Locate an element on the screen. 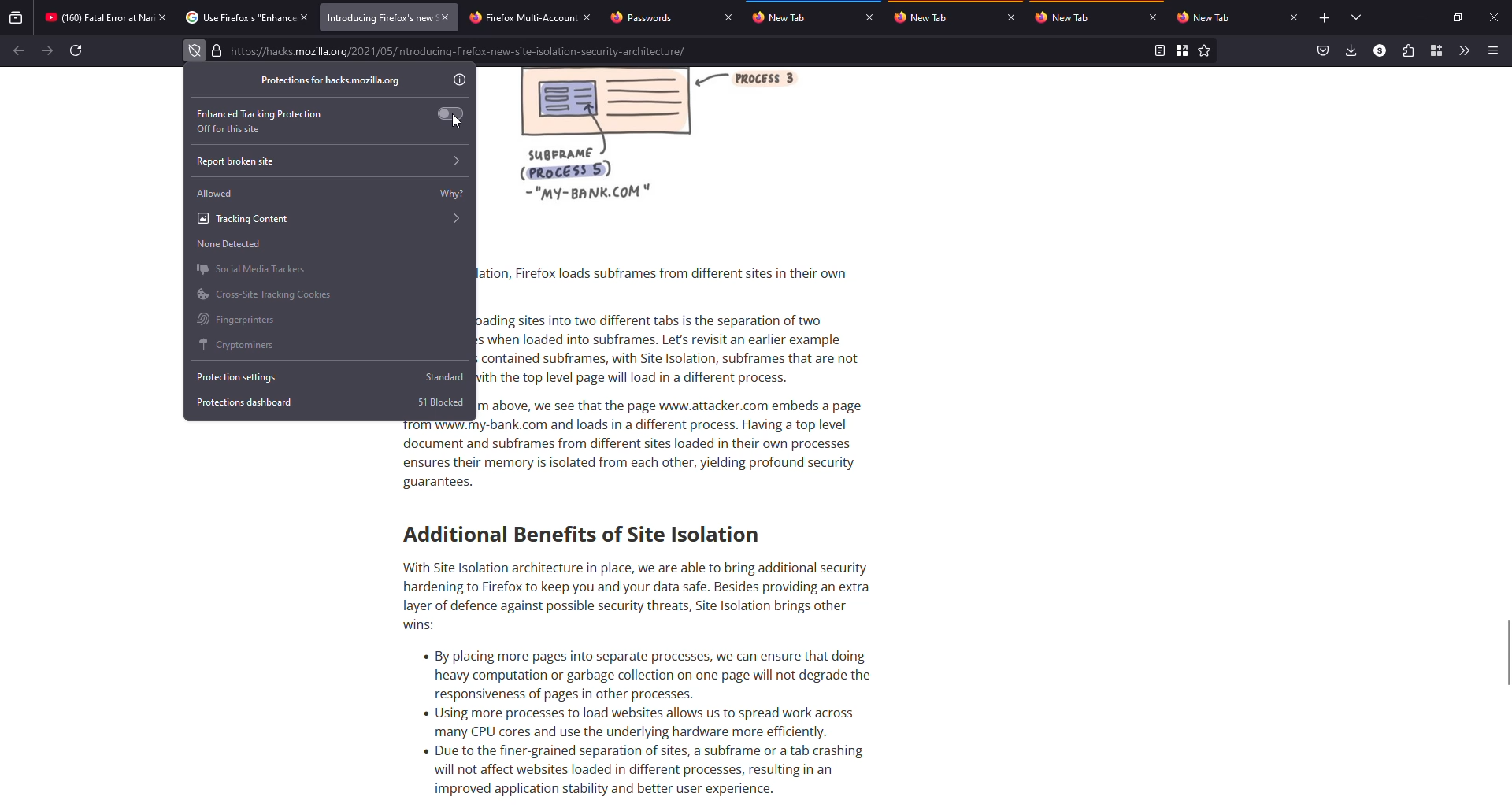 This screenshot has height=811, width=1512. close is located at coordinates (587, 19).